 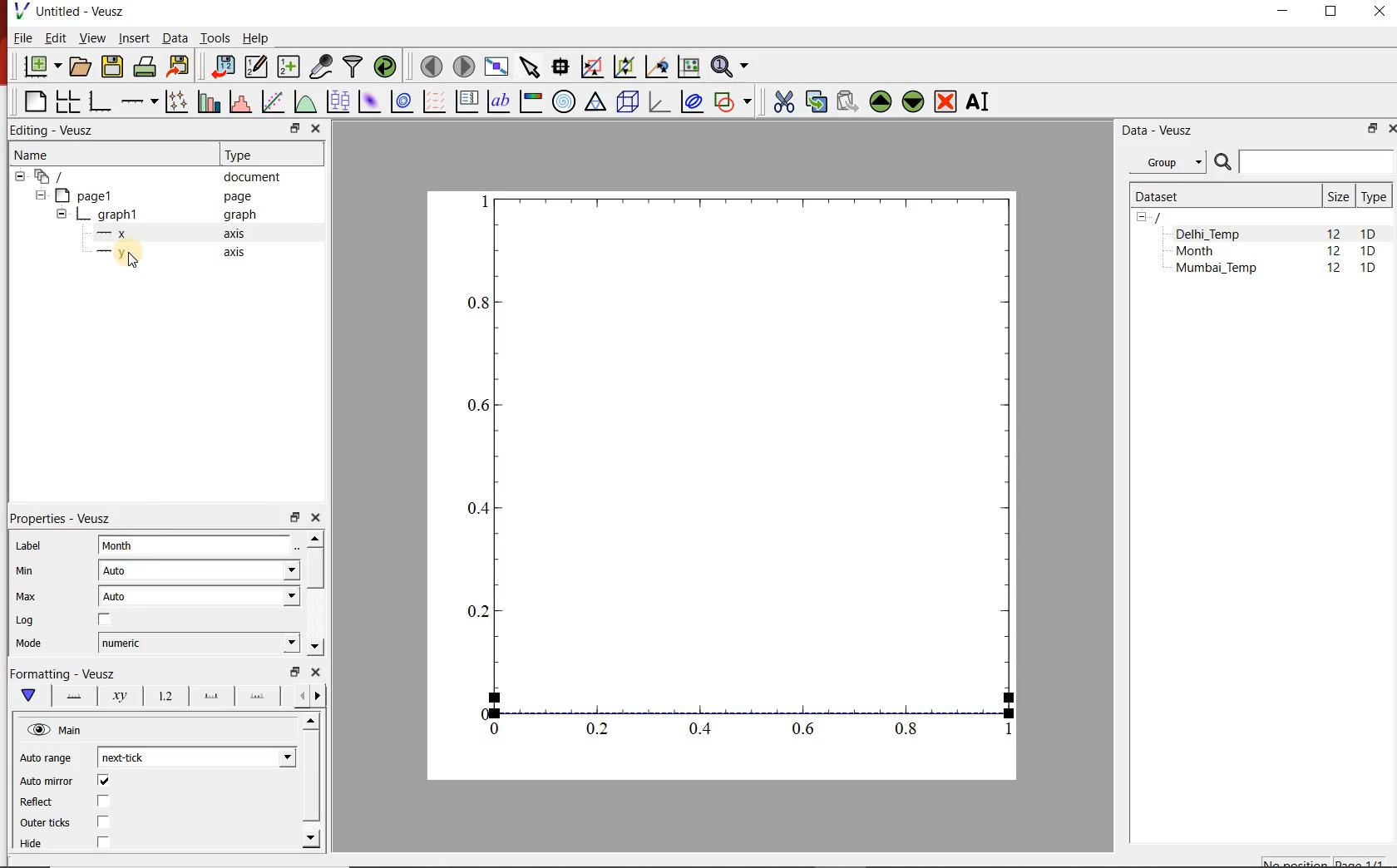 I want to click on restore, so click(x=296, y=128).